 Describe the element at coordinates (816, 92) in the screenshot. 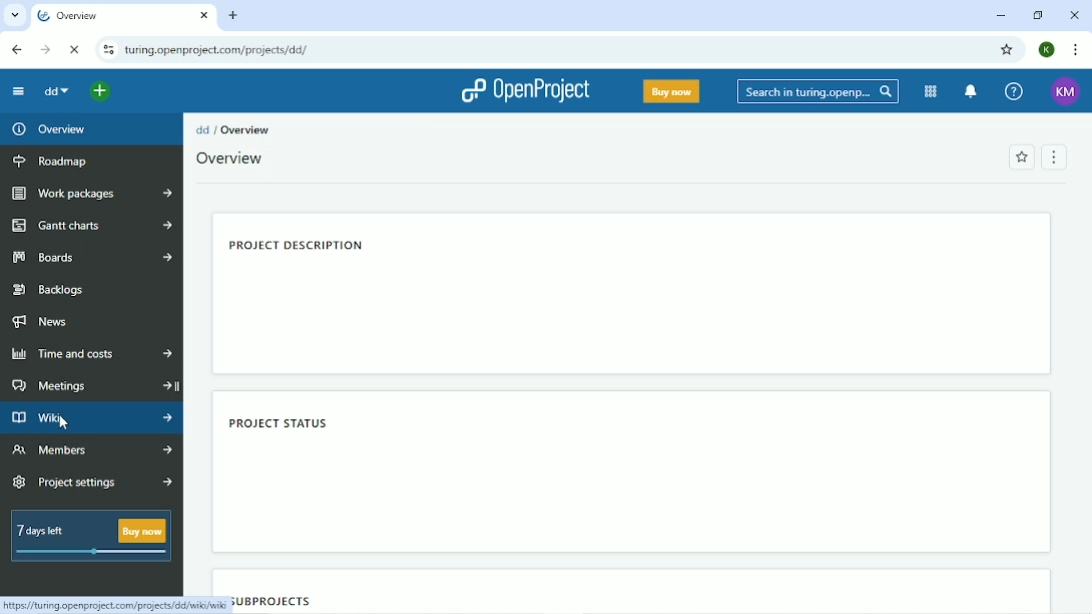

I see `Search in turing.openp` at that location.